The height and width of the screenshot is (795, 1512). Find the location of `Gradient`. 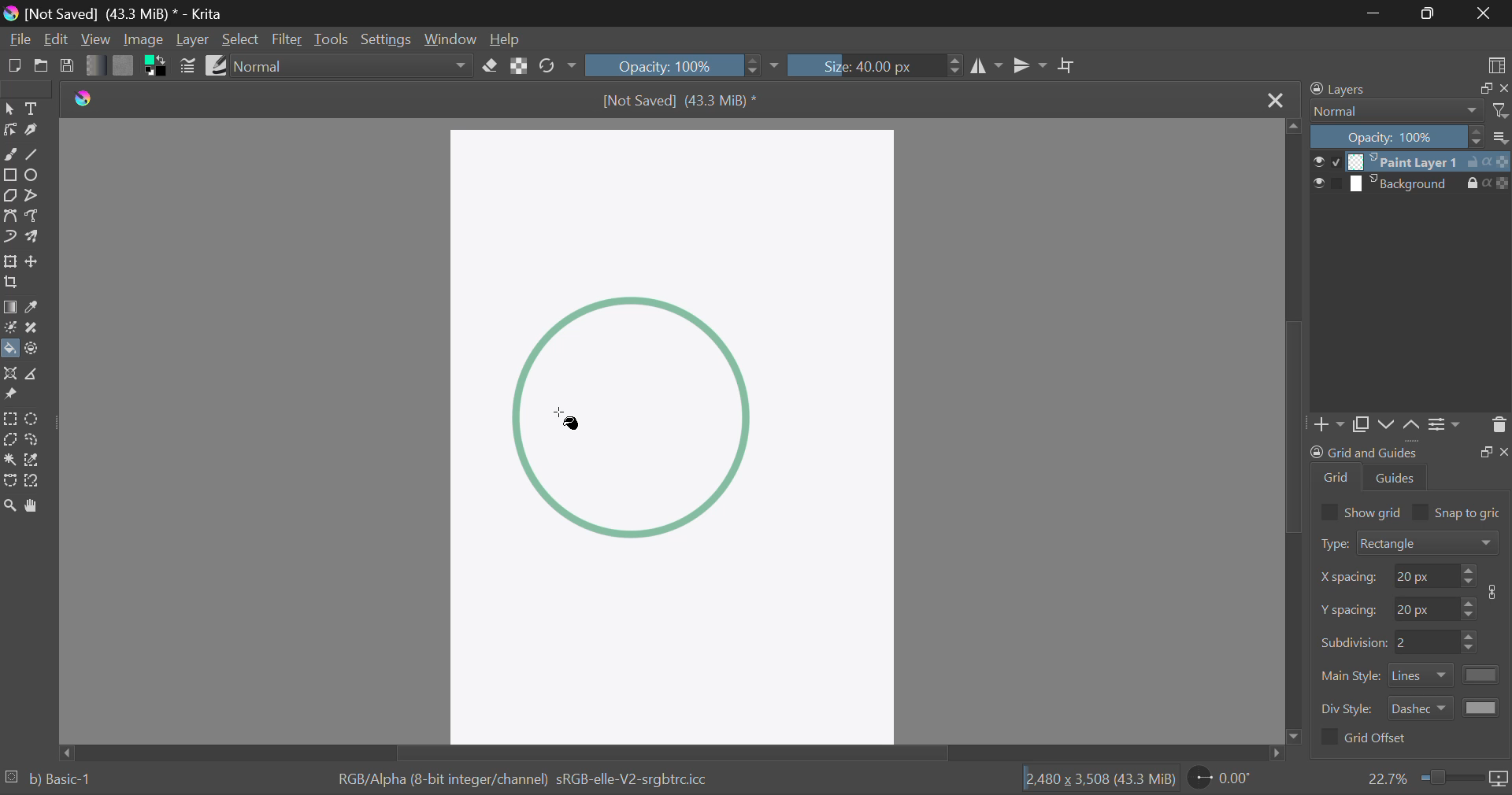

Gradient is located at coordinates (91, 65).